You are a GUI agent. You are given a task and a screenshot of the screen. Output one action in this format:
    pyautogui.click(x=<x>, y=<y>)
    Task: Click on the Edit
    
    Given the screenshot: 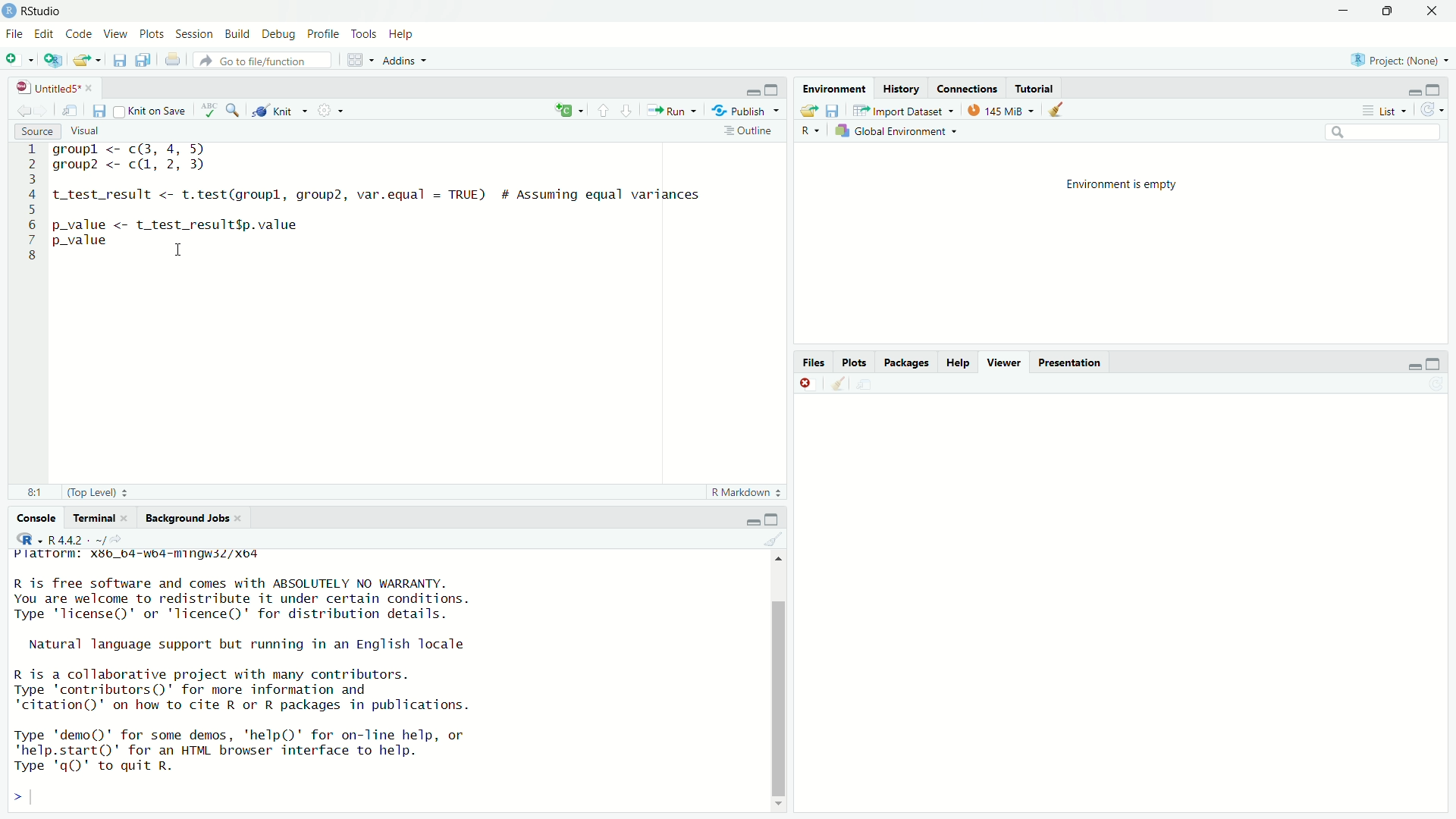 What is the action you would take?
    pyautogui.click(x=46, y=33)
    